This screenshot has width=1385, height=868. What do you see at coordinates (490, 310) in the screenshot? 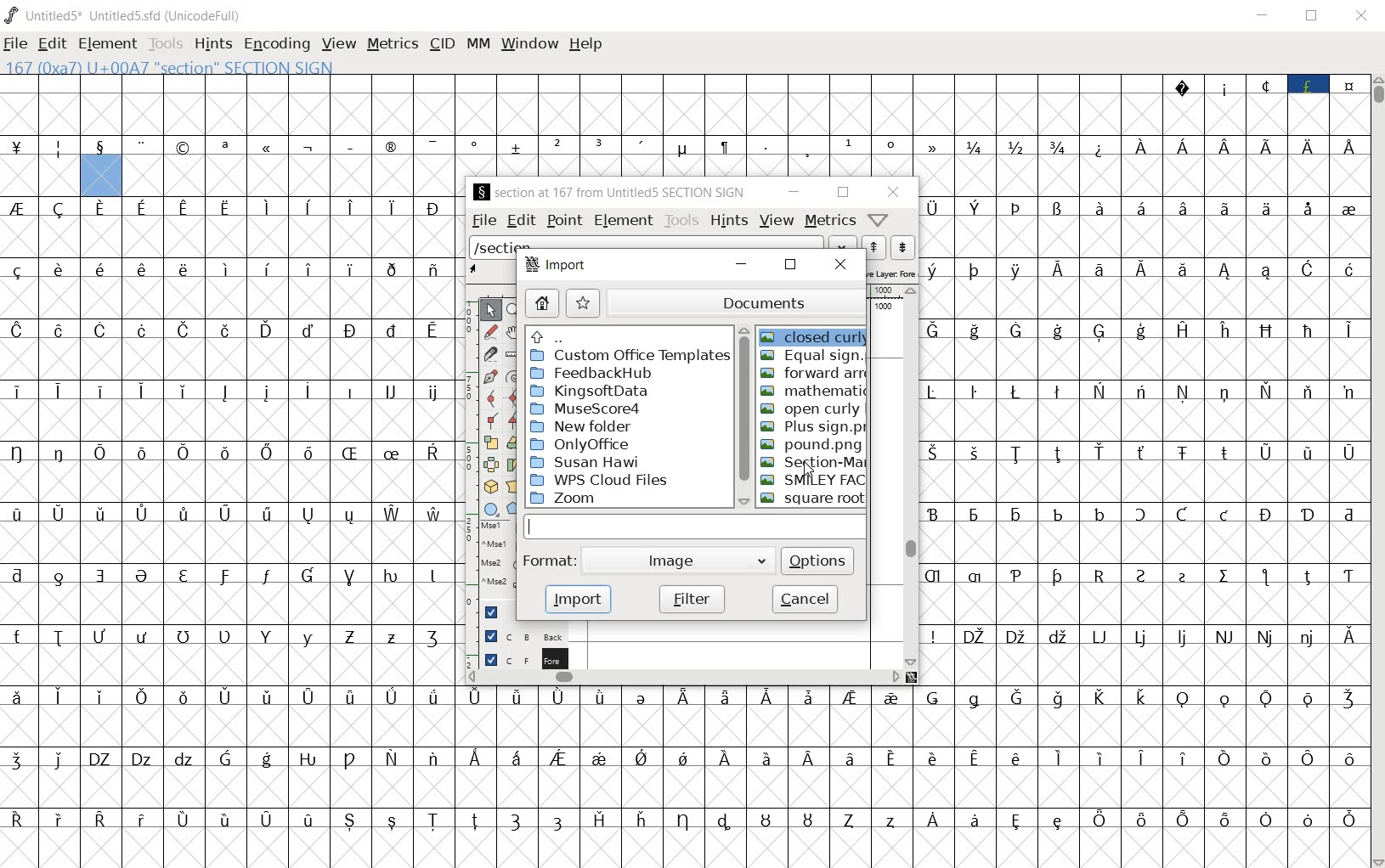
I see `POINTER` at bounding box center [490, 310].